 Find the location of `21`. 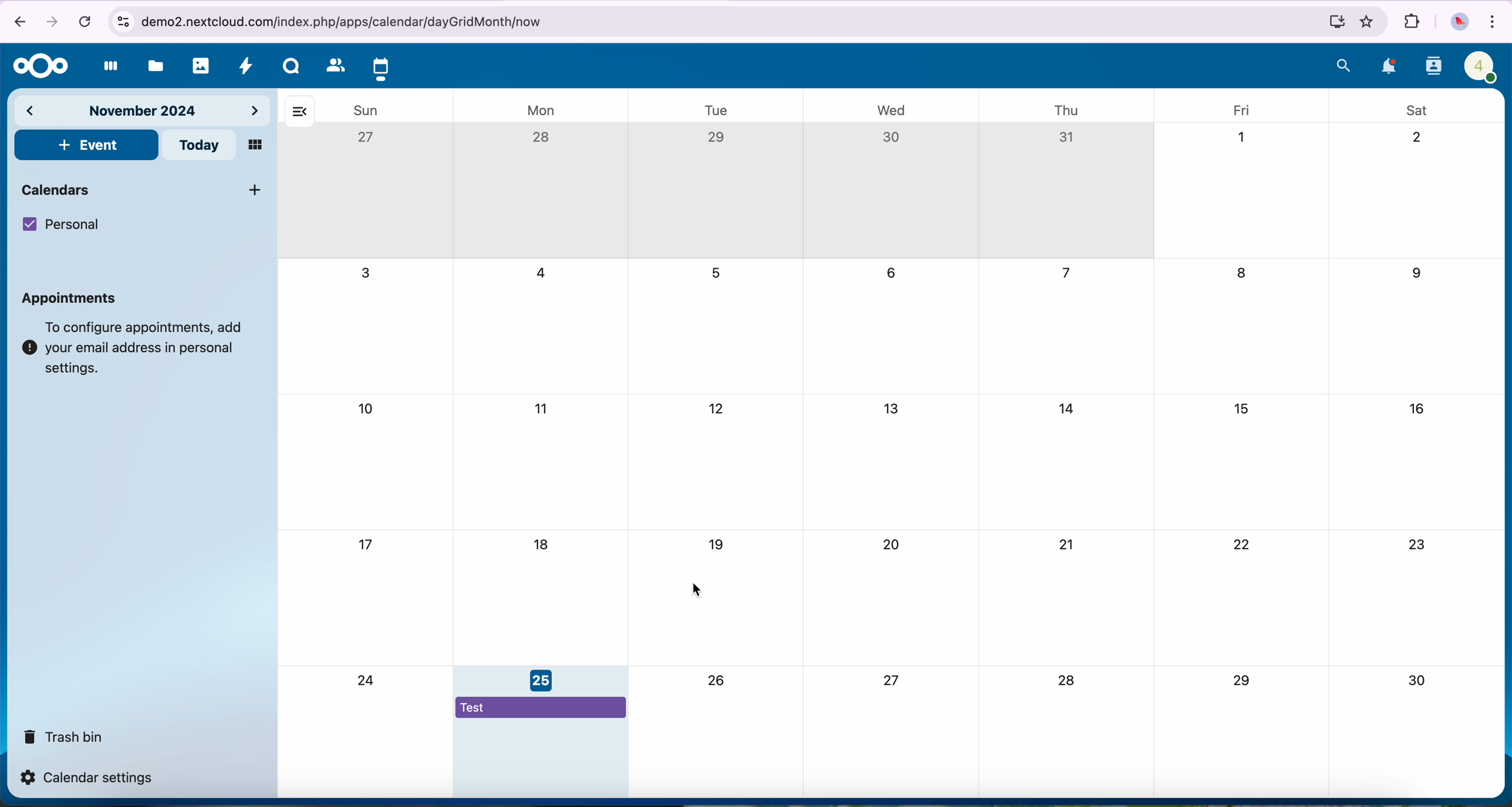

21 is located at coordinates (1069, 543).